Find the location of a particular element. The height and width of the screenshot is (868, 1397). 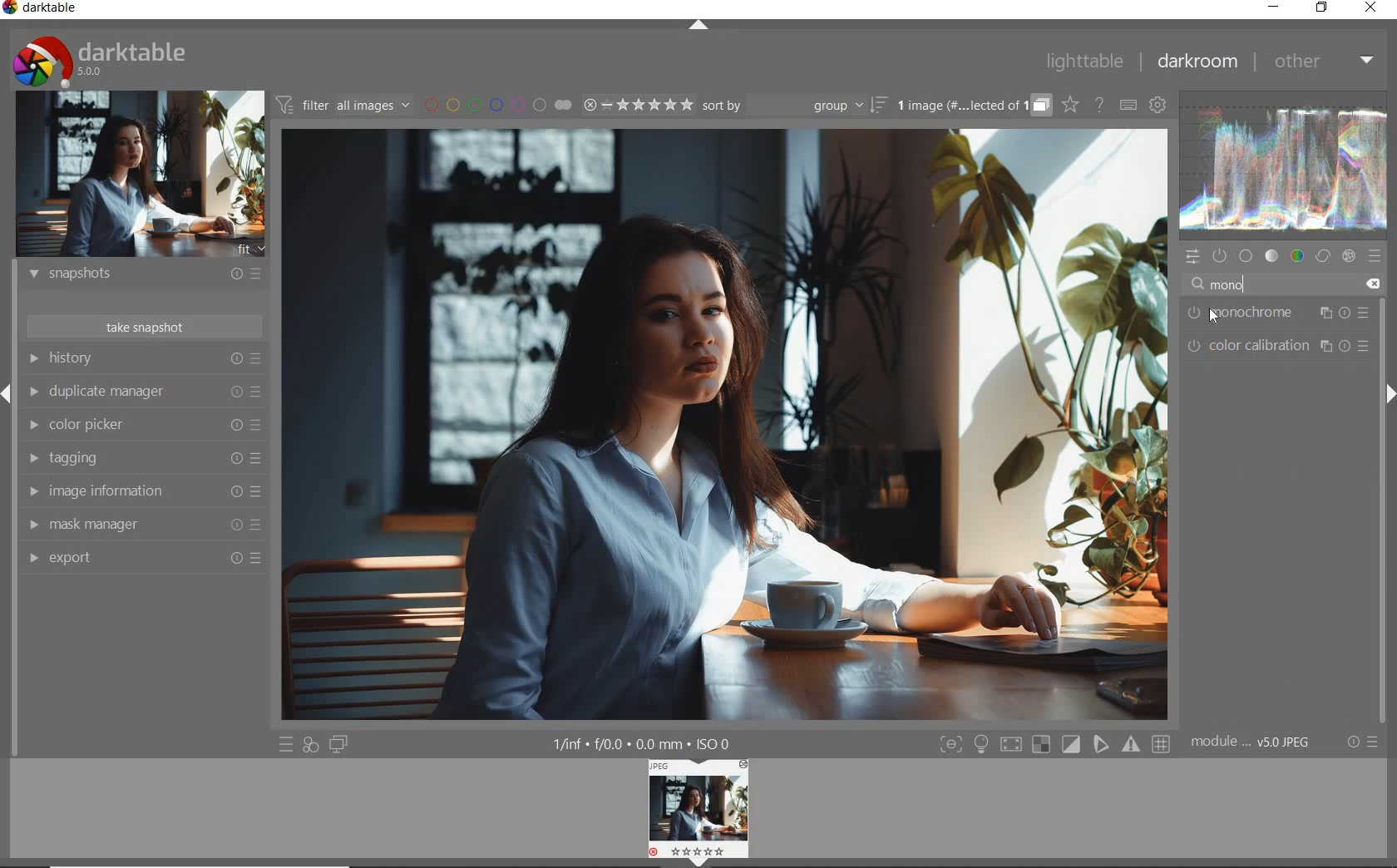

sort is located at coordinates (794, 106).